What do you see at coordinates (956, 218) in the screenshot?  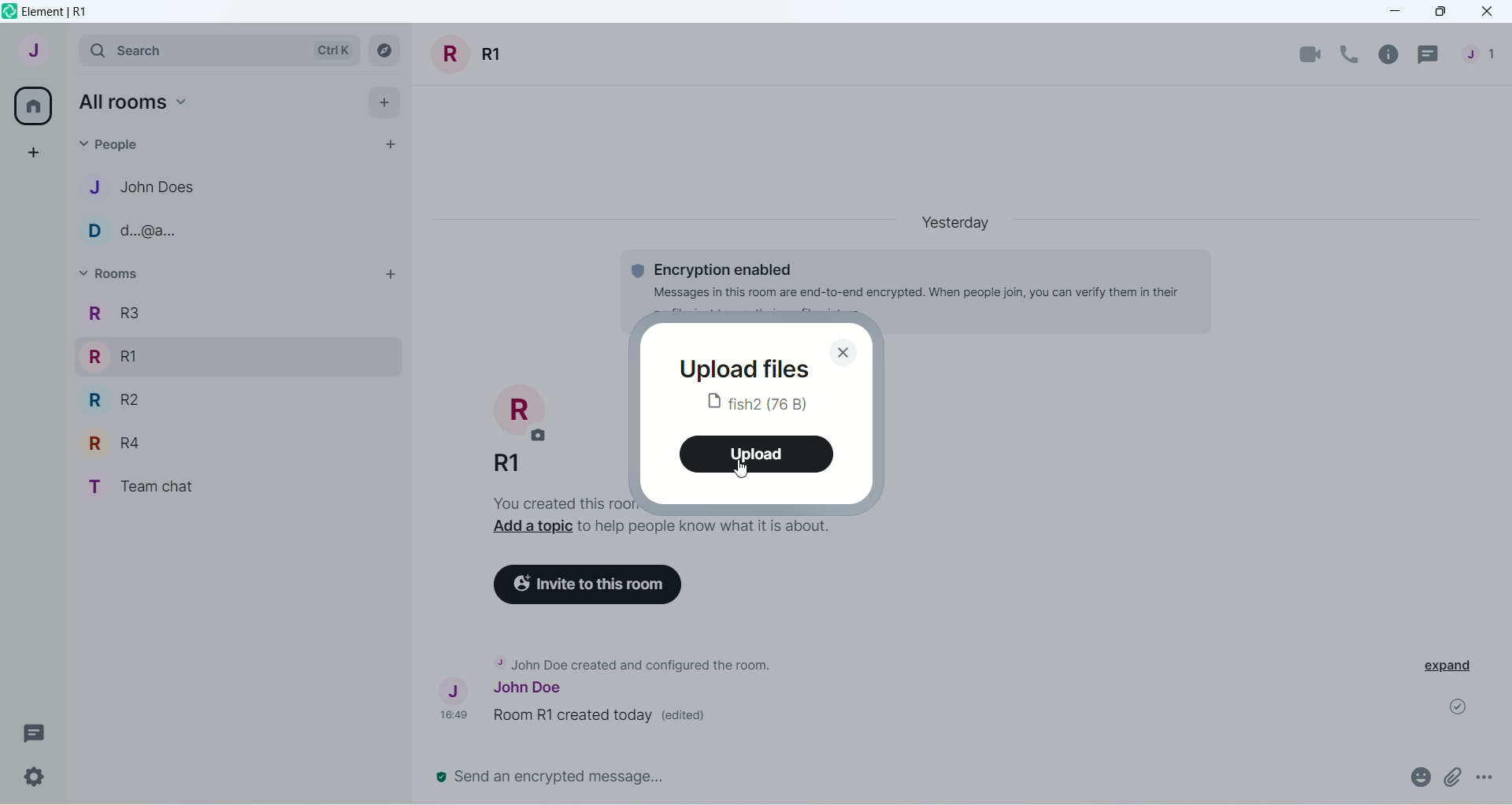 I see `Yesterday` at bounding box center [956, 218].